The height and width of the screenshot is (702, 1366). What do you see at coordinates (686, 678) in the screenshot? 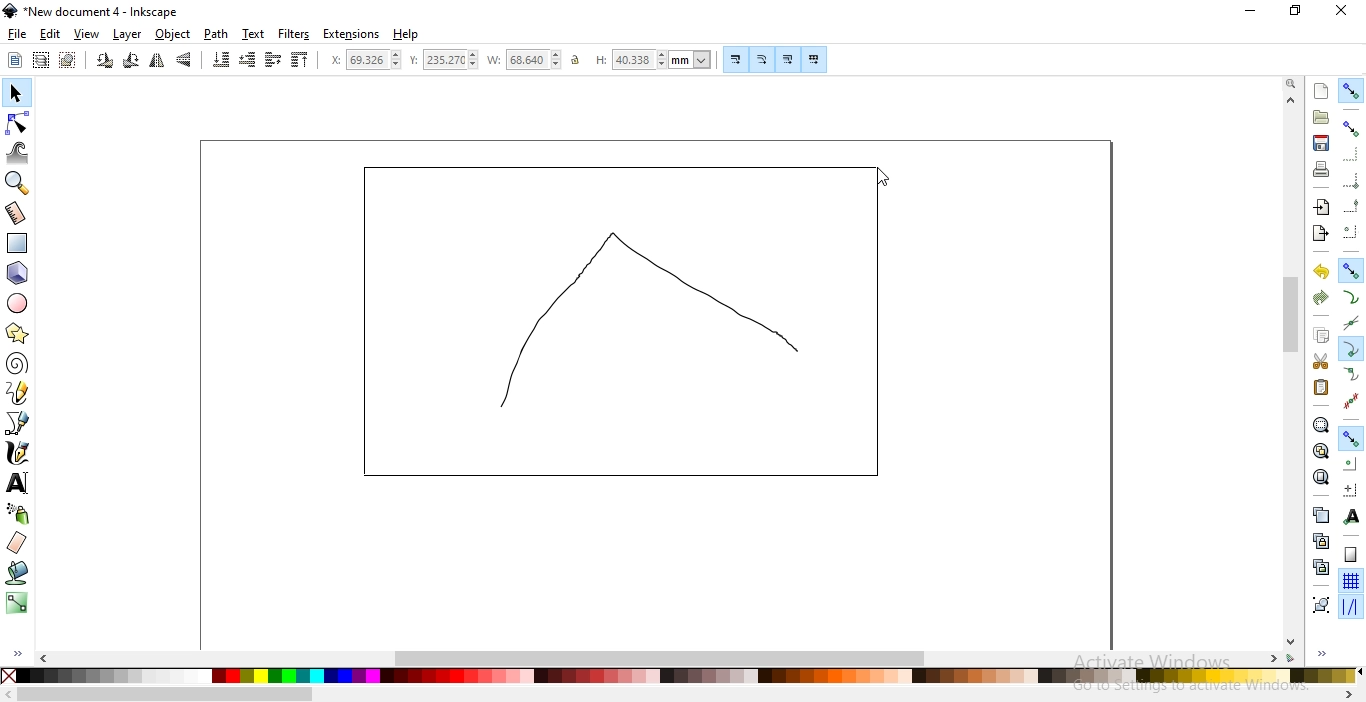
I see `color` at bounding box center [686, 678].